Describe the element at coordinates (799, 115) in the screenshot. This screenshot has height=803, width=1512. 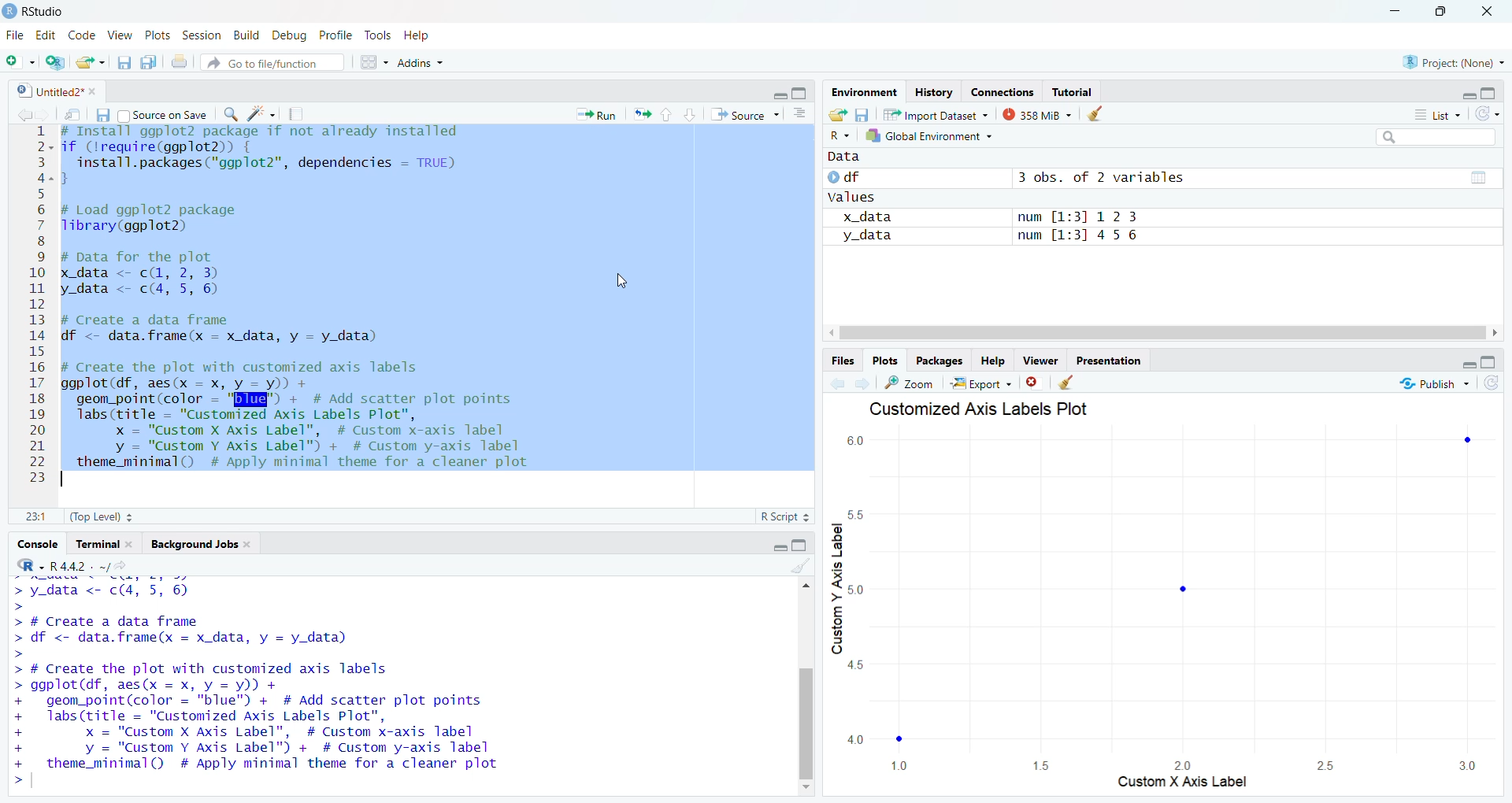
I see `options` at that location.